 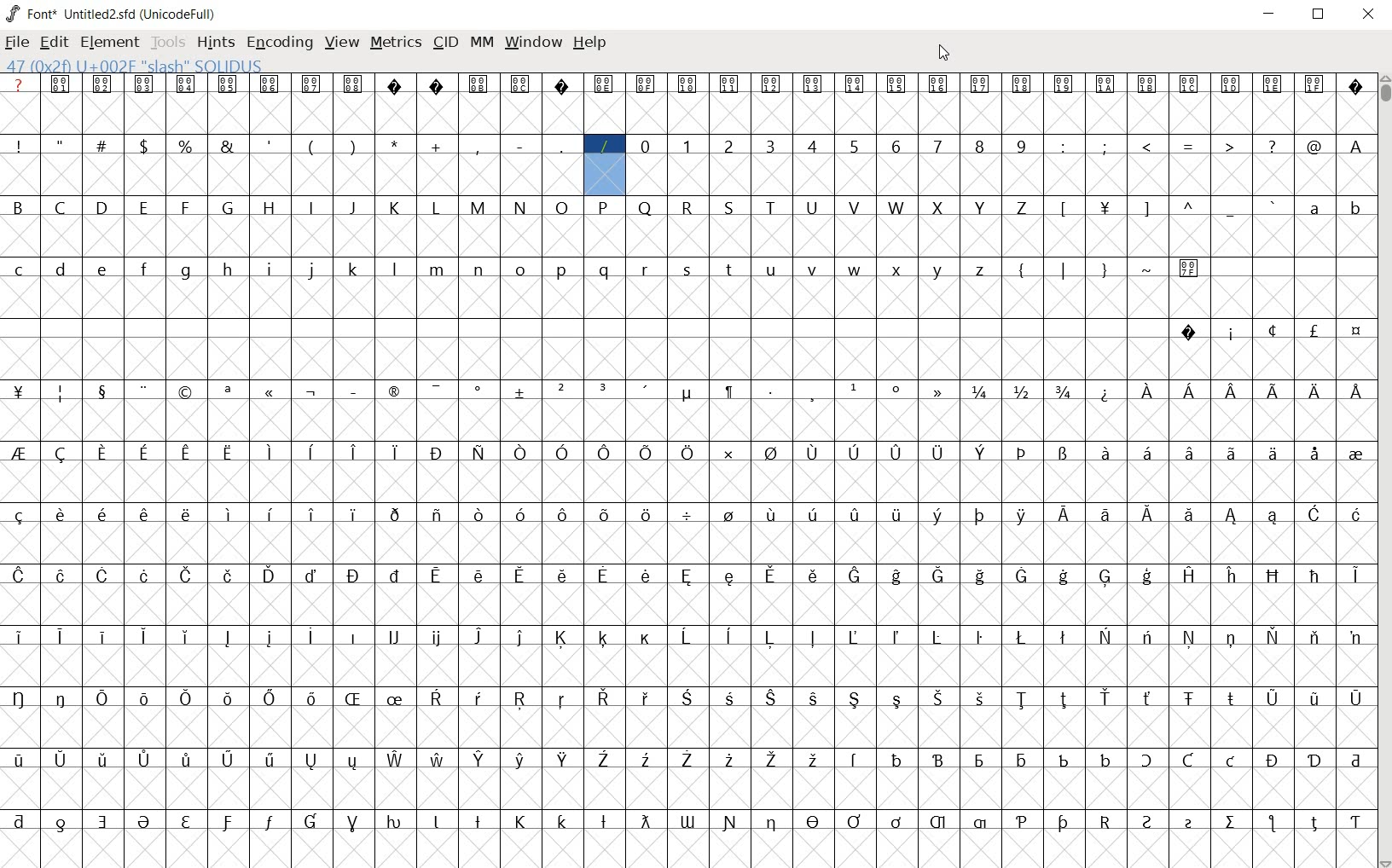 I want to click on glyph, so click(x=60, y=207).